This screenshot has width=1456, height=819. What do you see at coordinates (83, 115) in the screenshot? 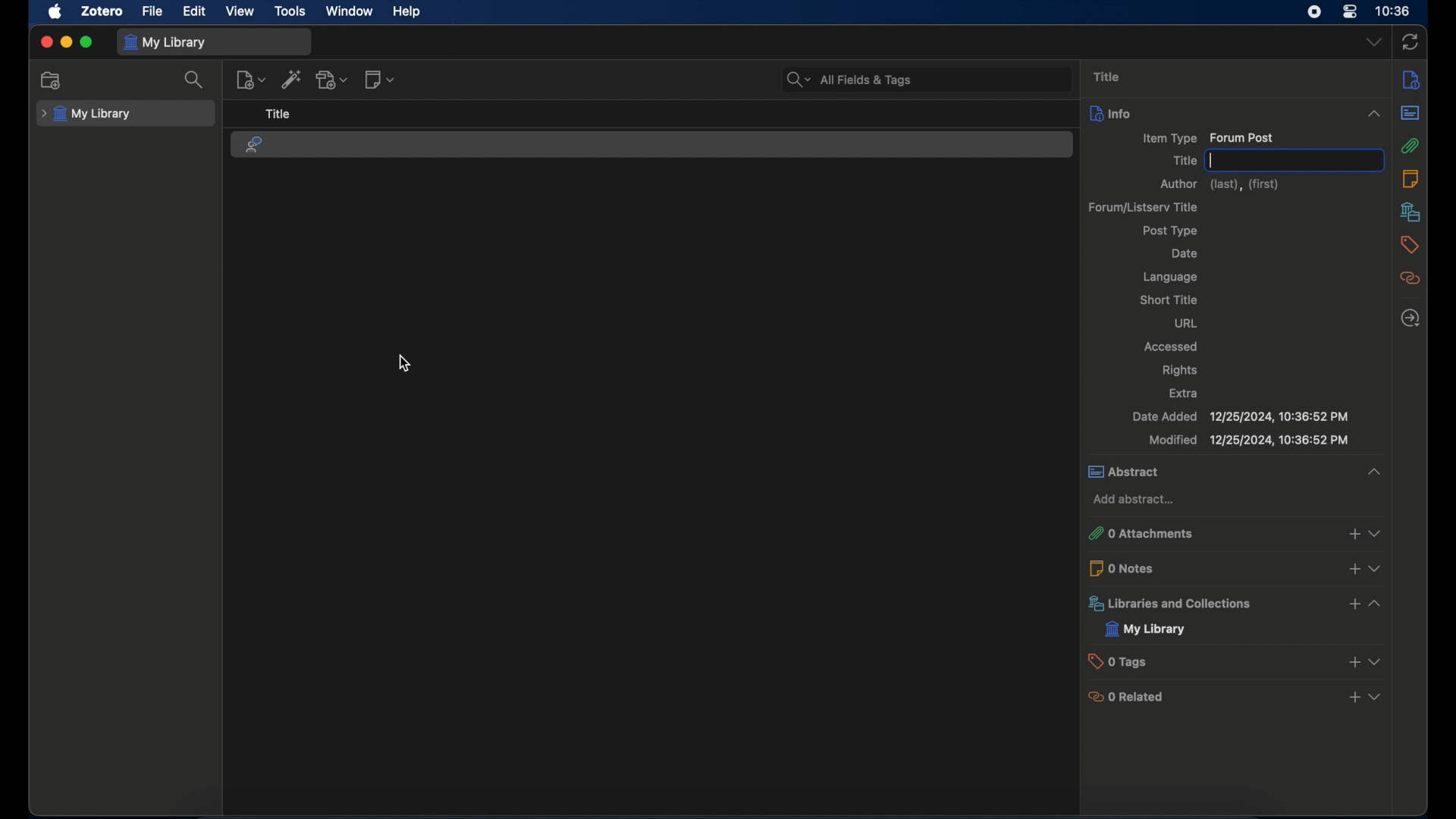
I see `my library` at bounding box center [83, 115].